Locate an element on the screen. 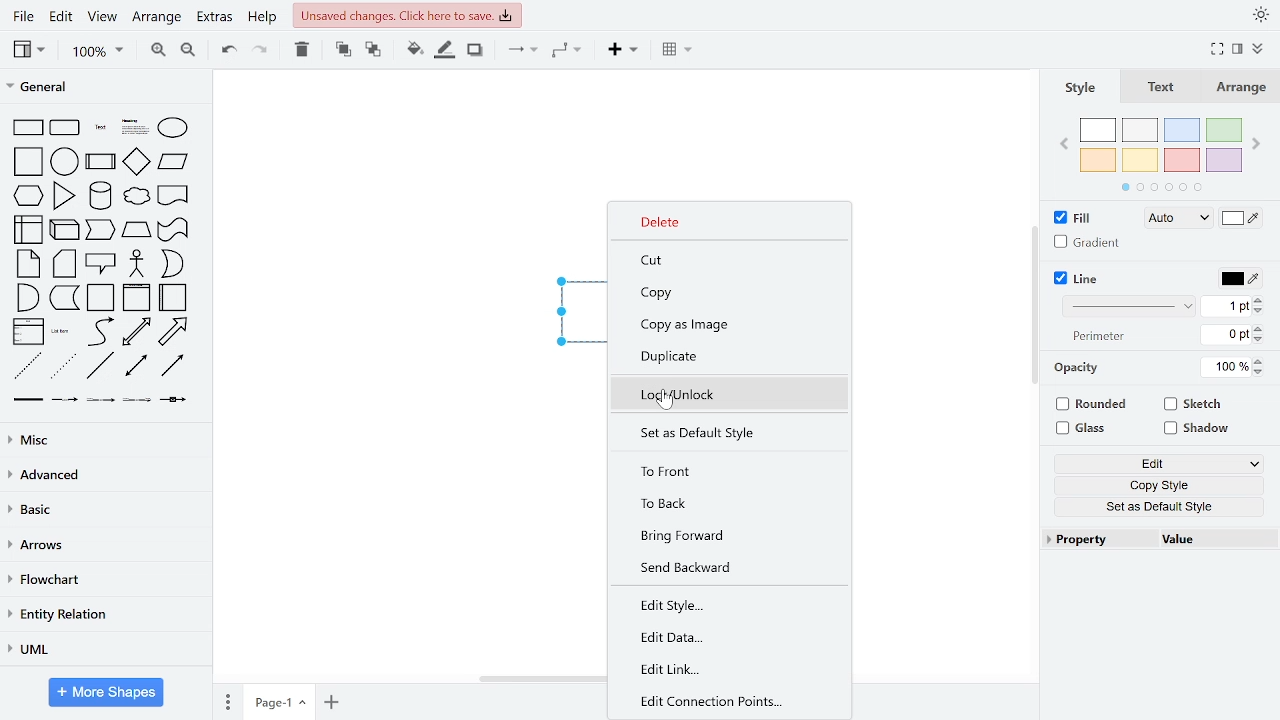 This screenshot has width=1280, height=720. set as default is located at coordinates (726, 434).